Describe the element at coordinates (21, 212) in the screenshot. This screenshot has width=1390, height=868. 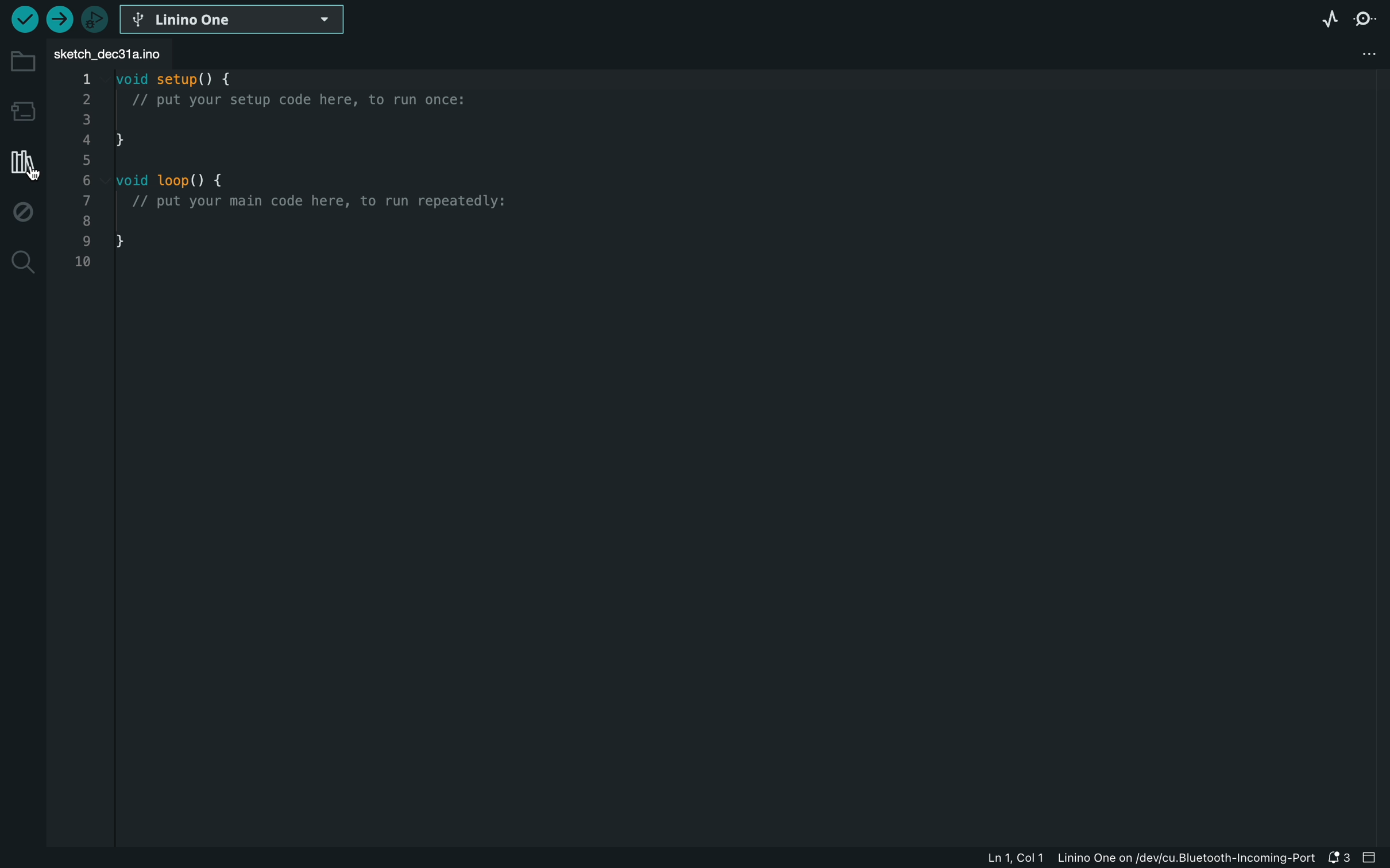
I see `debug` at that location.